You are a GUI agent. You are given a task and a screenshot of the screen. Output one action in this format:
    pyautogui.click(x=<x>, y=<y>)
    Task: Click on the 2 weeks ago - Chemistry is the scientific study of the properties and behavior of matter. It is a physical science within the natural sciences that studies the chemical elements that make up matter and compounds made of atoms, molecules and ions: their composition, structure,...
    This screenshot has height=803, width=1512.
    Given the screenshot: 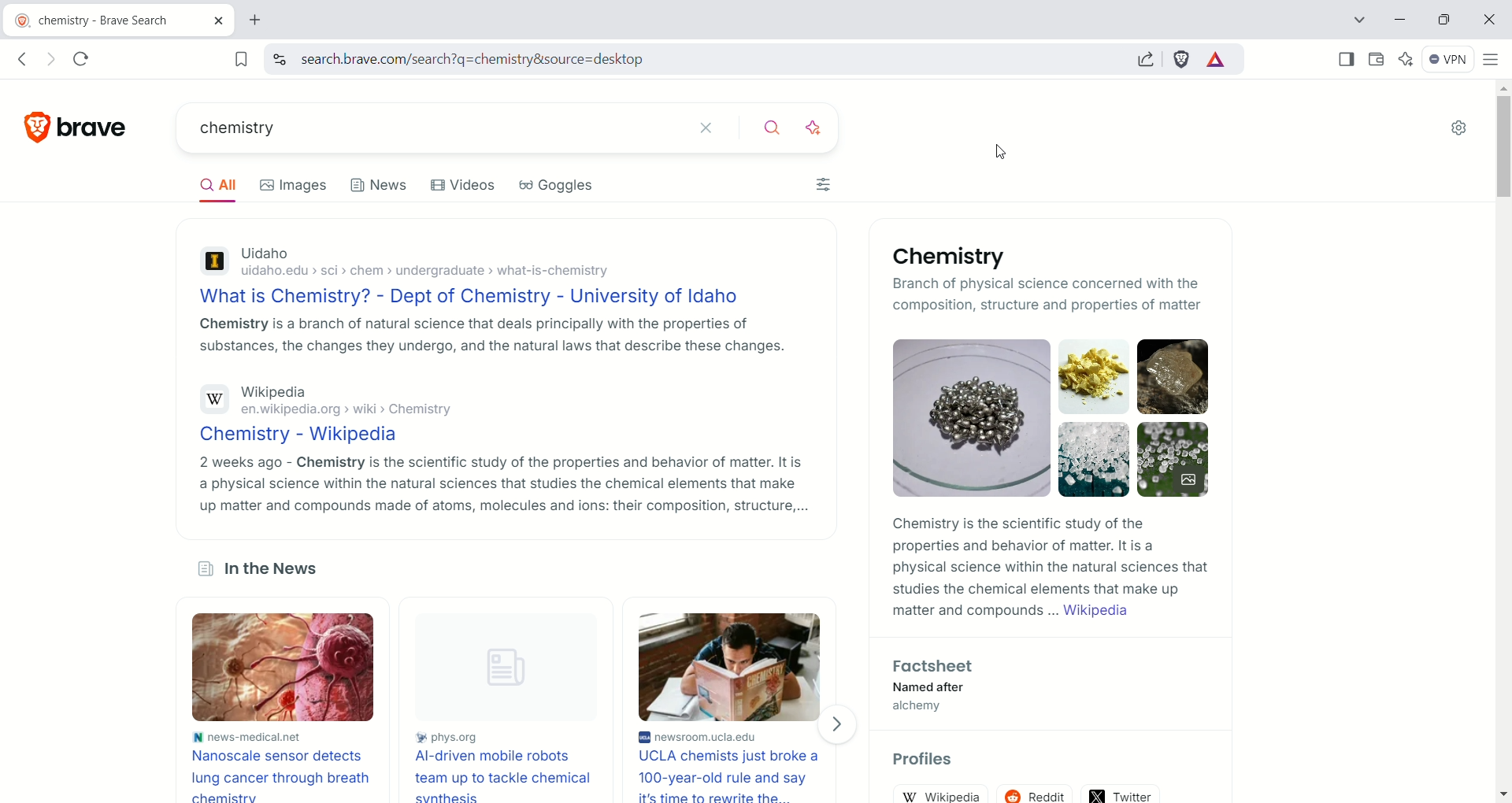 What is the action you would take?
    pyautogui.click(x=500, y=483)
    